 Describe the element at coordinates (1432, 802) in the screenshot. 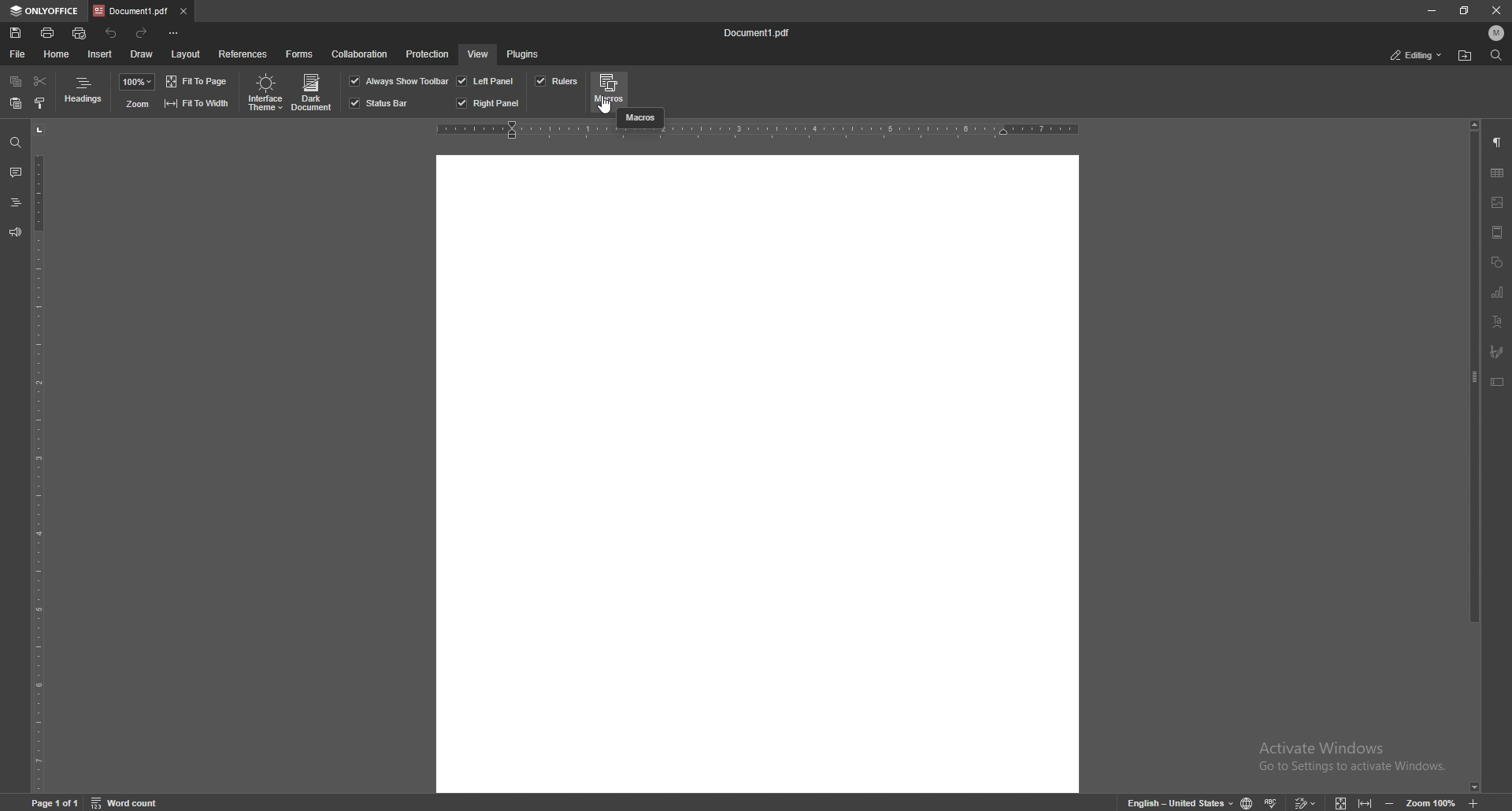

I see `zoom` at that location.